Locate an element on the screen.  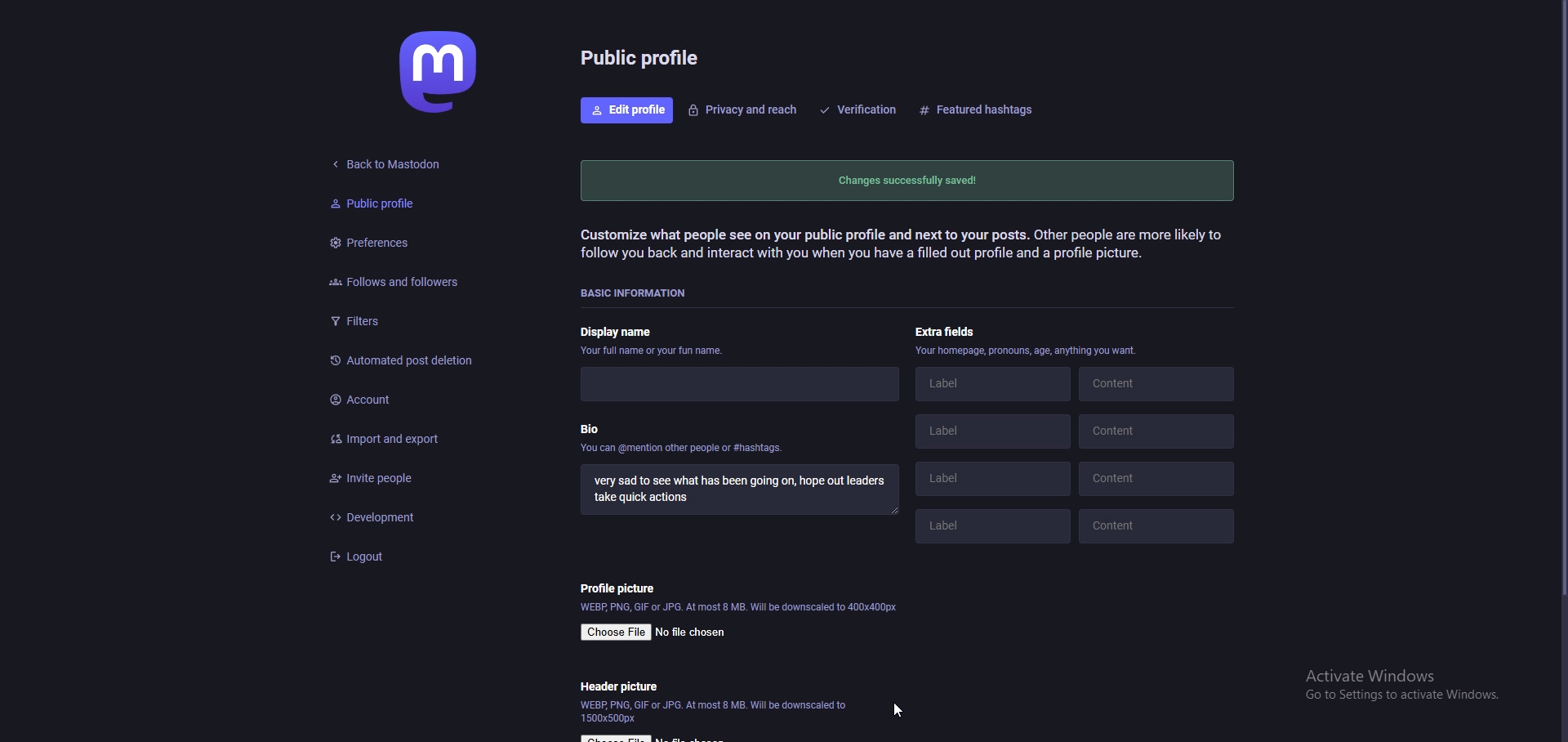
Choose file is located at coordinates (641, 737).